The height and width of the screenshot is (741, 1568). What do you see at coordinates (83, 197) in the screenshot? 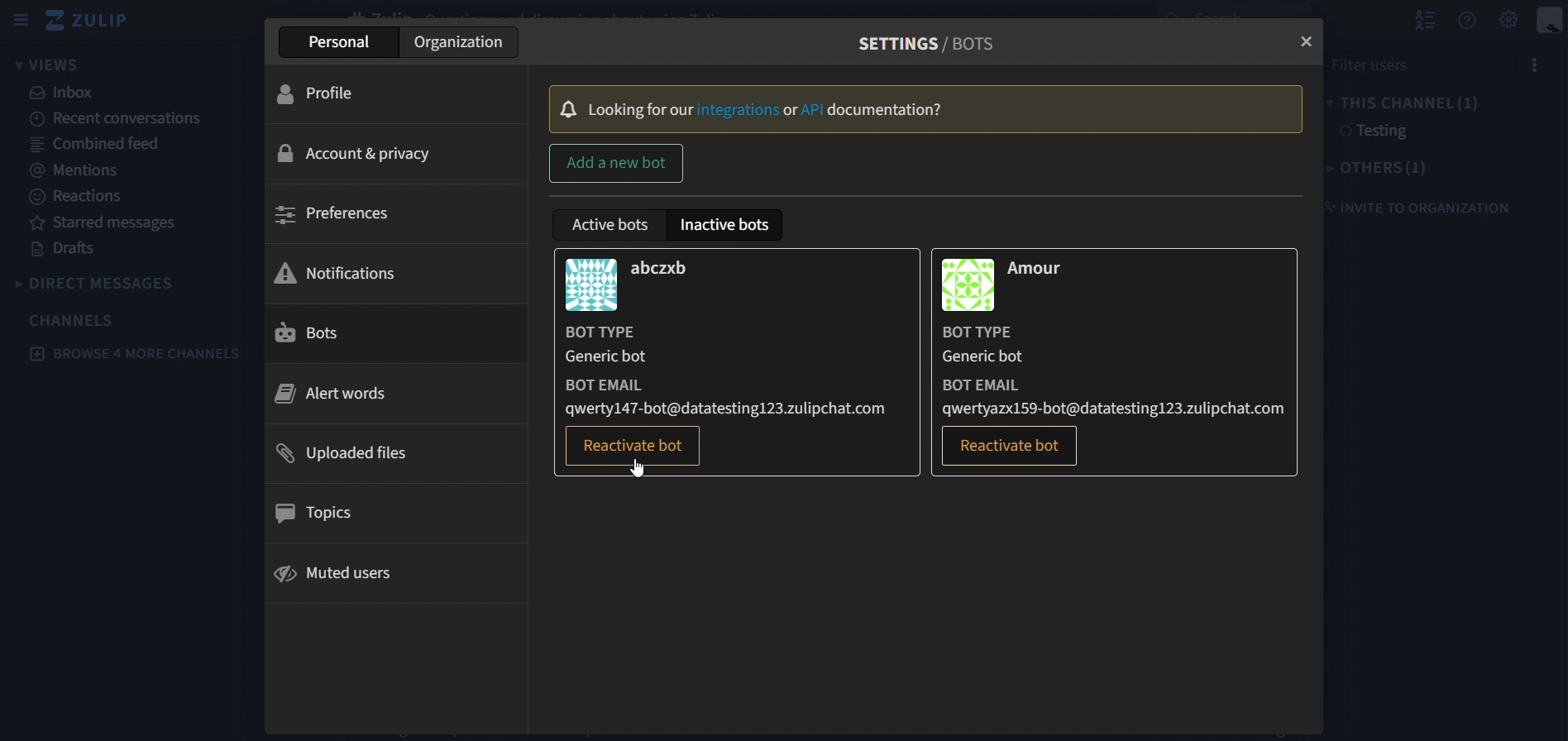
I see `reactions` at bounding box center [83, 197].